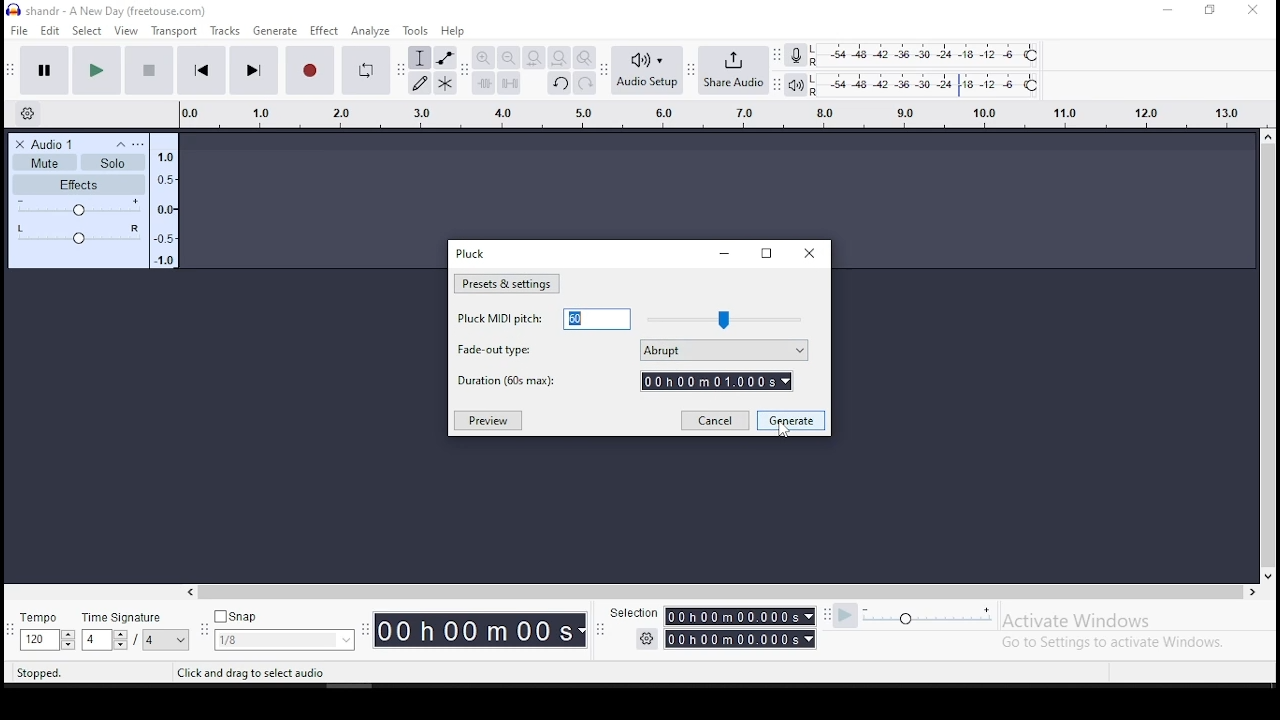 Image resolution: width=1280 pixels, height=720 pixels. Describe the element at coordinates (55, 144) in the screenshot. I see `track name` at that location.